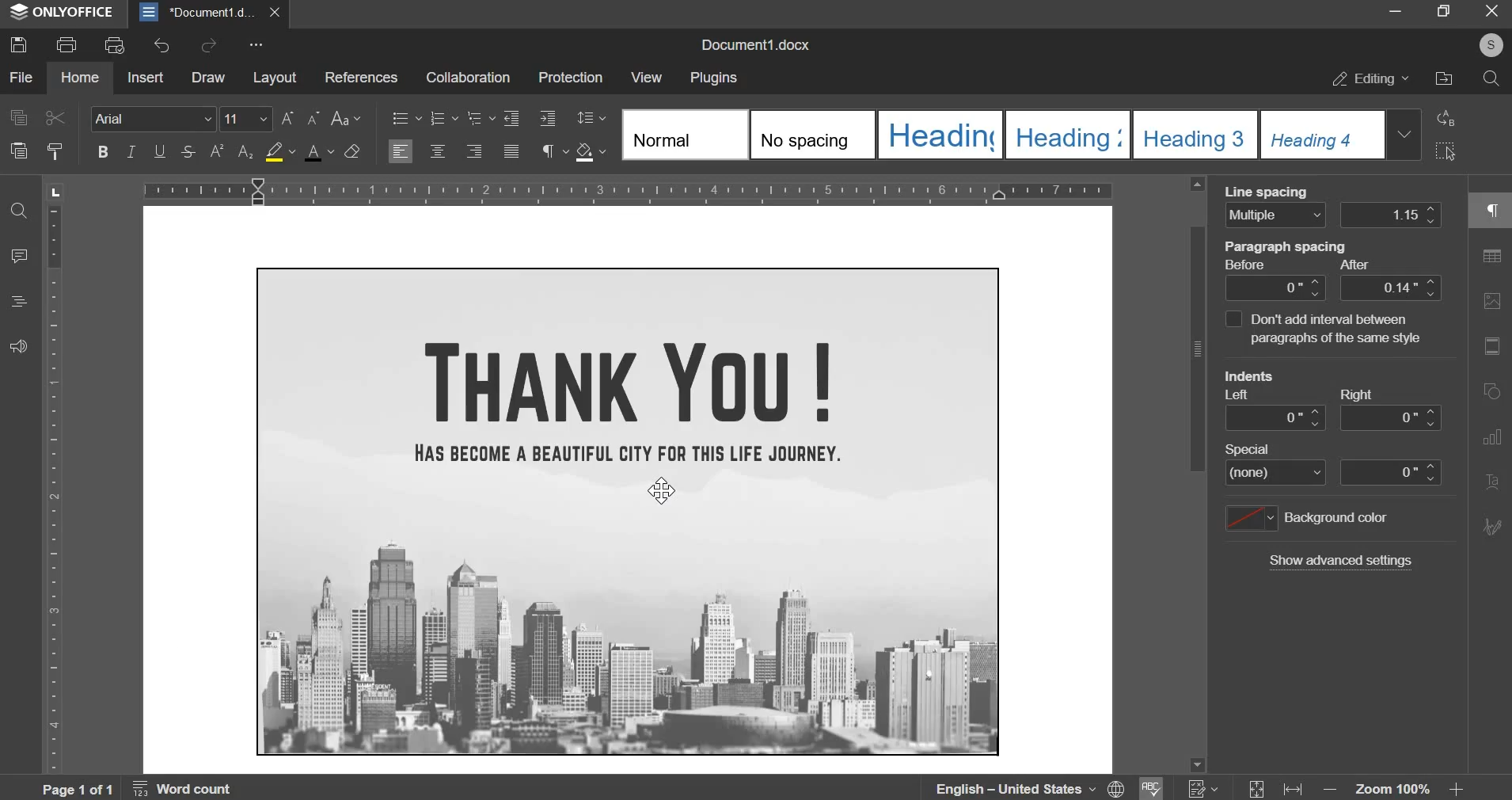 This screenshot has width=1512, height=800. I want to click on ruler, so click(57, 490).